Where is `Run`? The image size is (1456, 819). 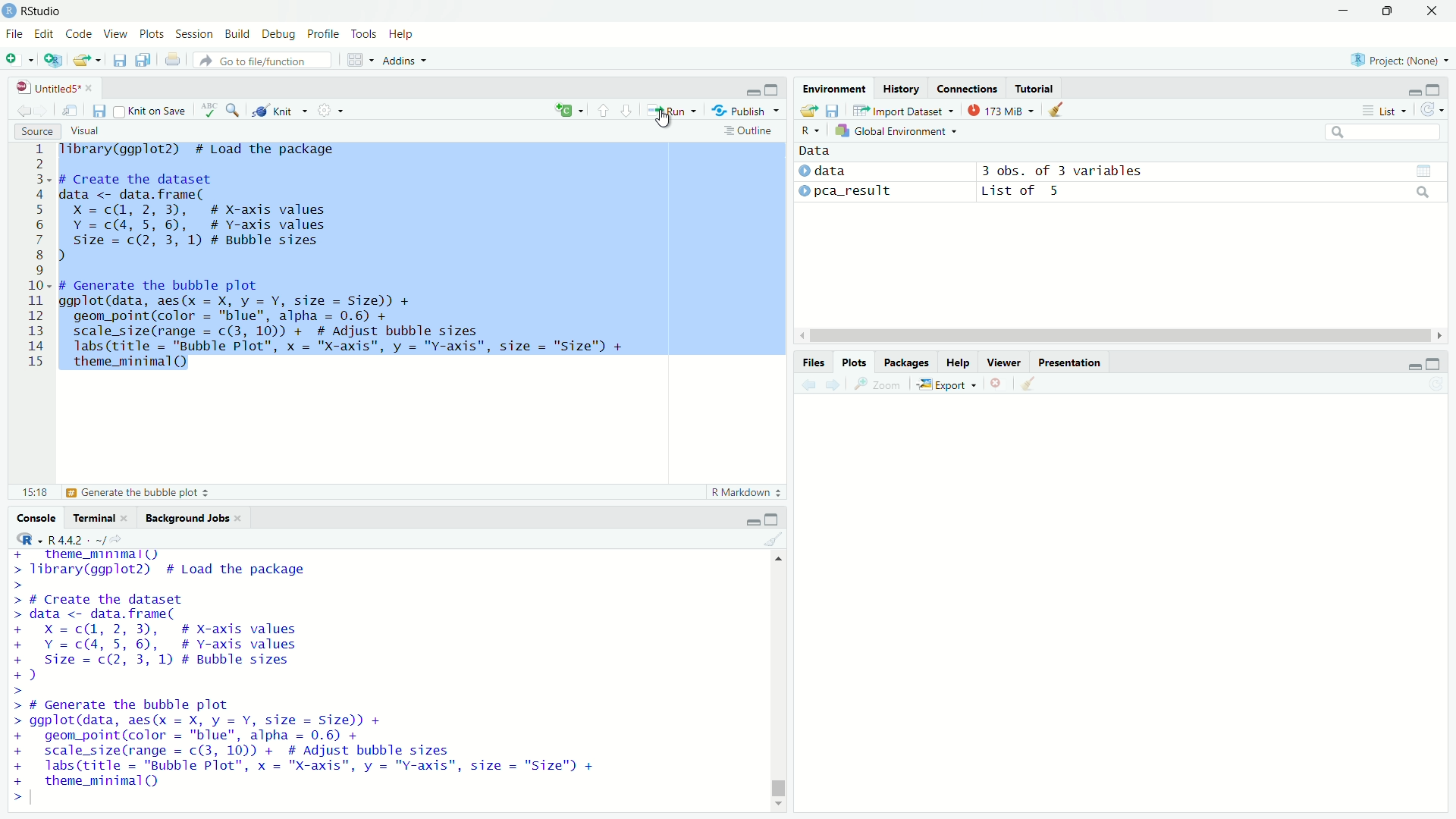 Run is located at coordinates (671, 109).